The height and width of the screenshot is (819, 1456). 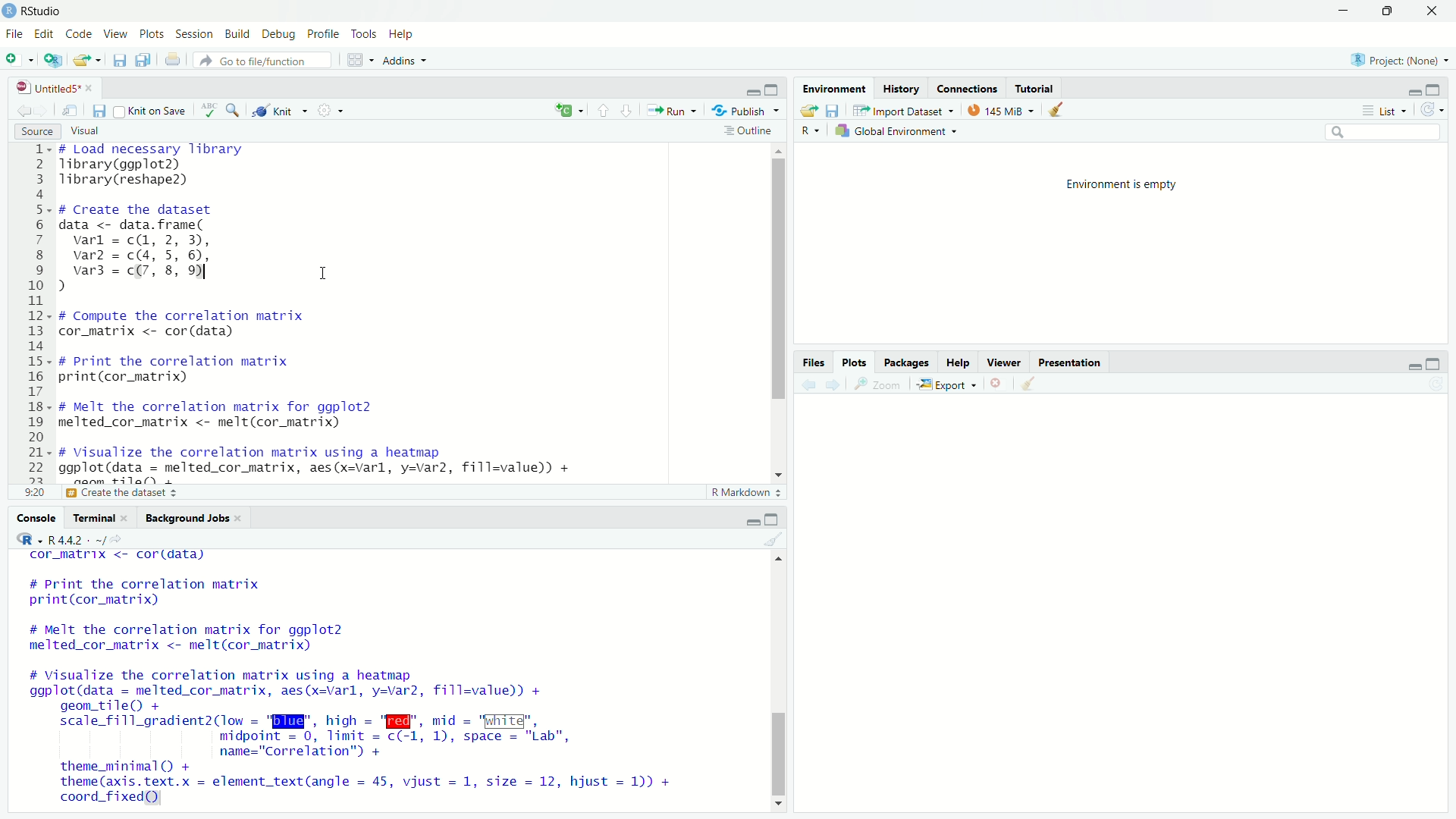 I want to click on viewer, so click(x=1003, y=362).